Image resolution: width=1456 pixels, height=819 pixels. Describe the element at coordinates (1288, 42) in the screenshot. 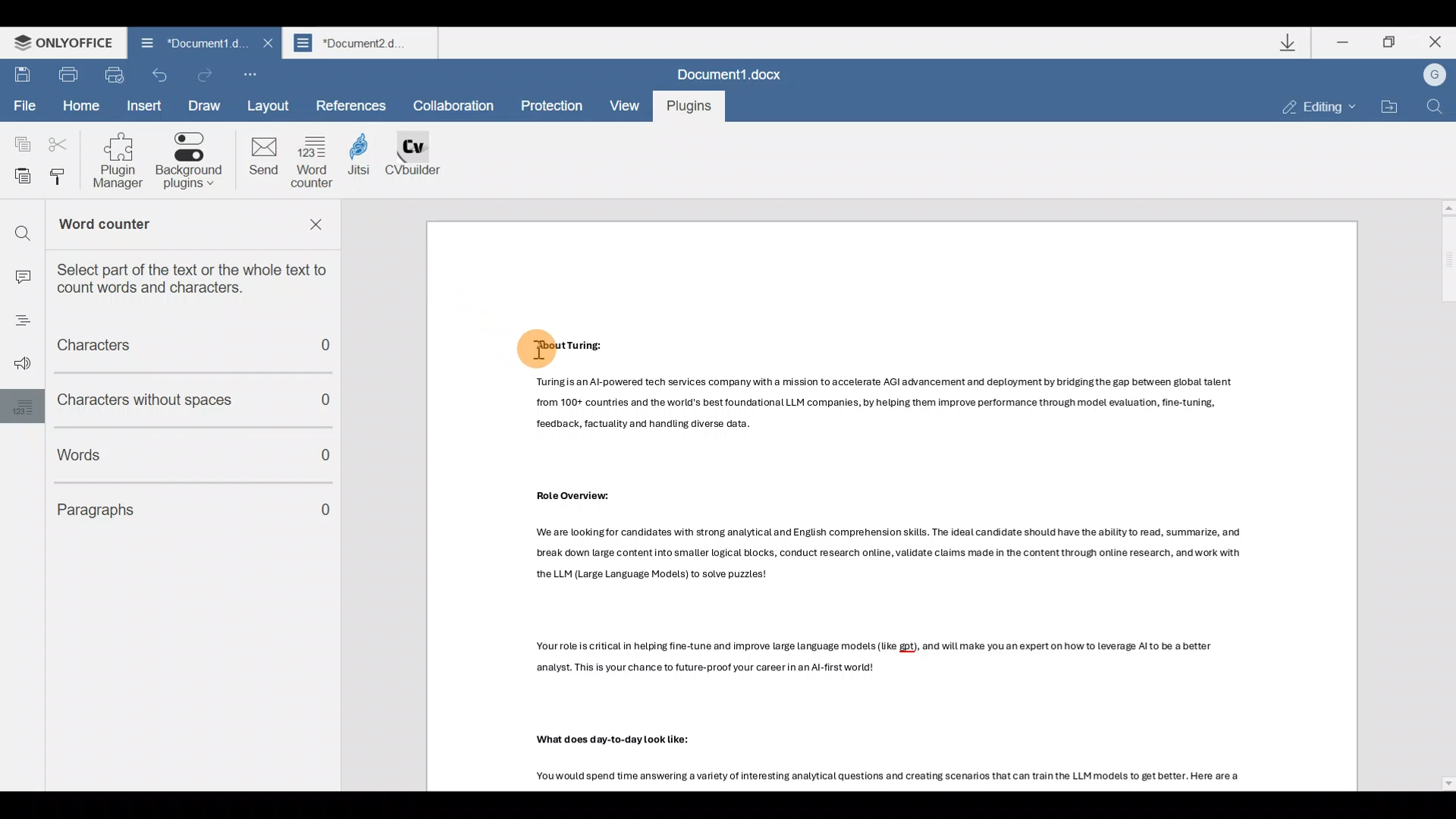

I see `Downloads` at that location.